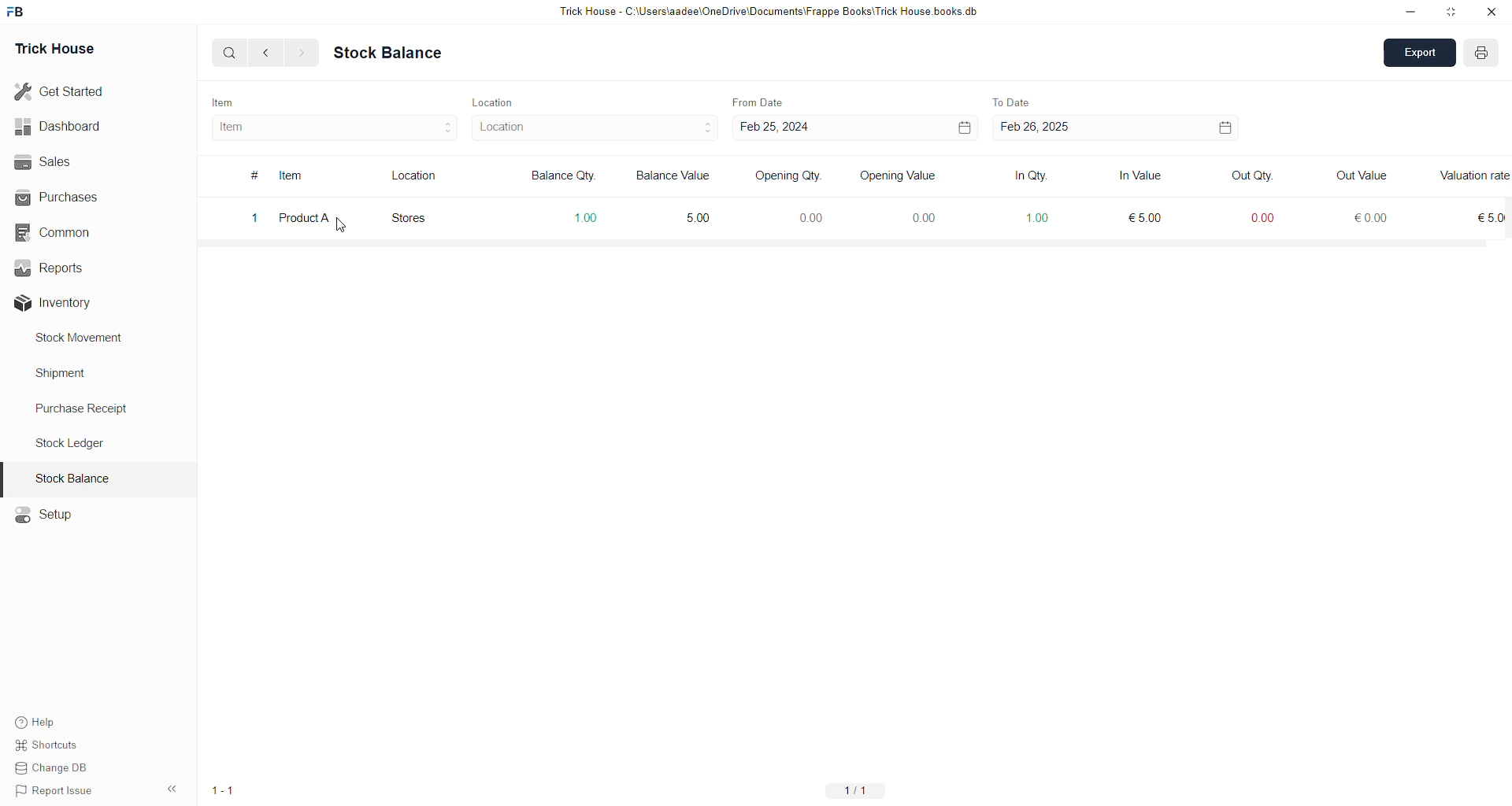  What do you see at coordinates (1465, 176) in the screenshot?
I see `` at bounding box center [1465, 176].